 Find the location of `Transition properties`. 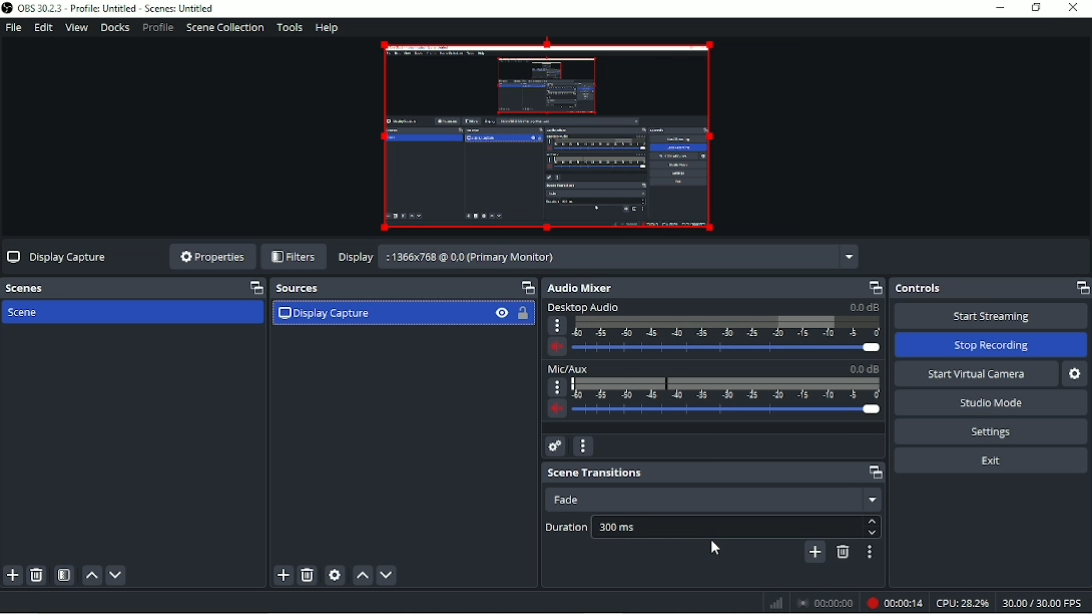

Transition properties is located at coordinates (870, 551).